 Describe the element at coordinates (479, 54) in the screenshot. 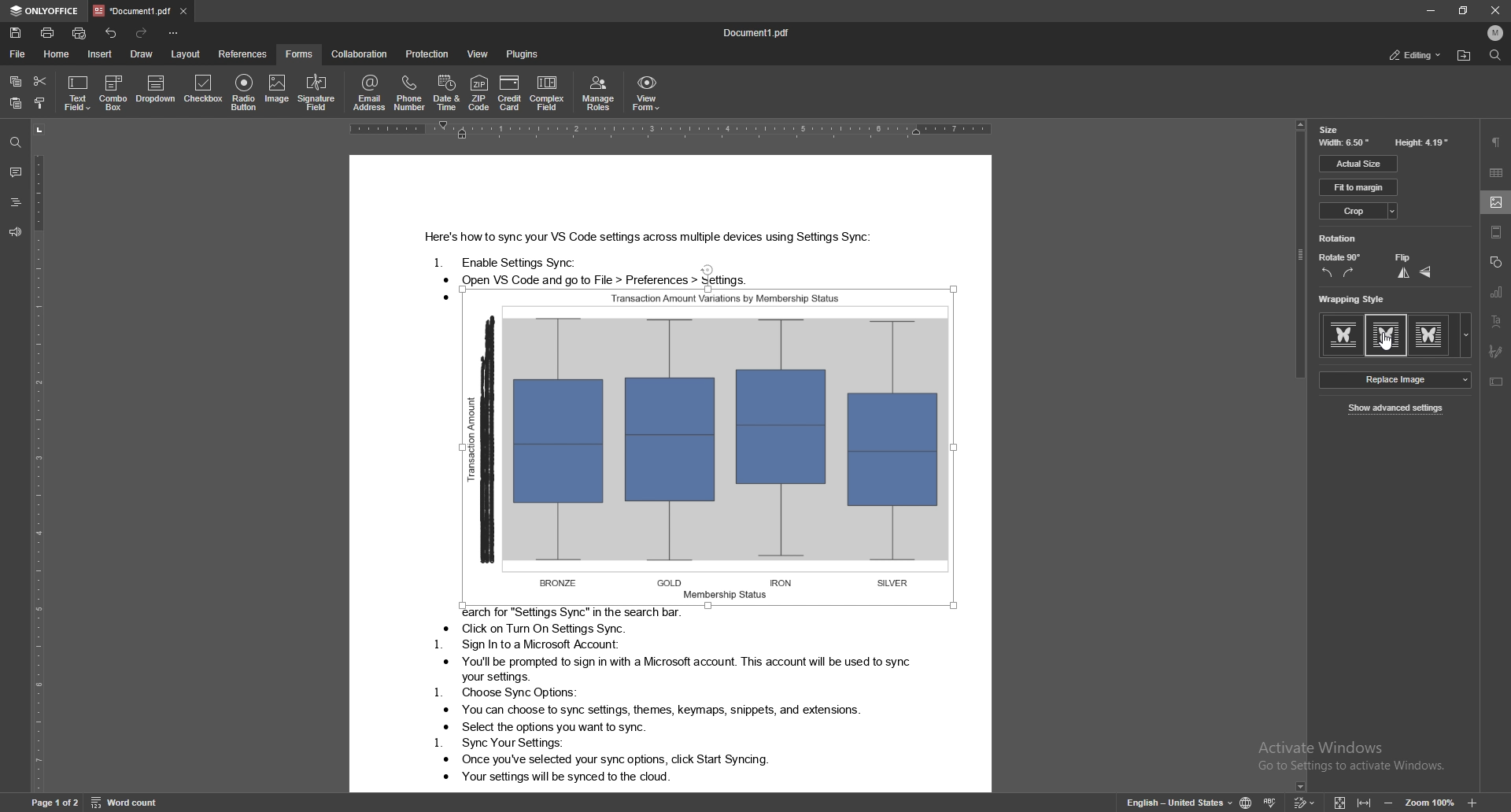

I see `view` at that location.